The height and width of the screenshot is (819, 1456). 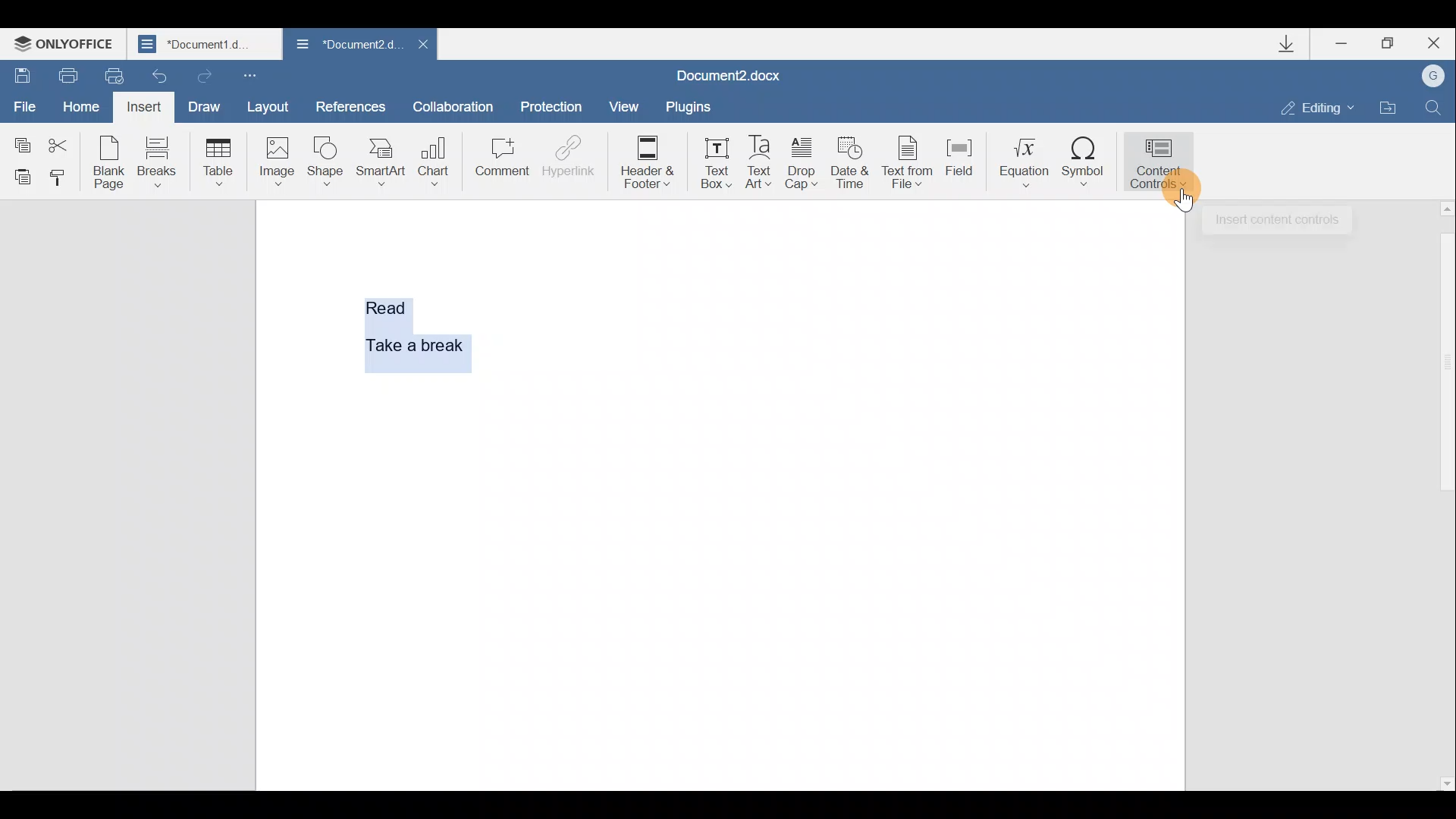 I want to click on Take a break, so click(x=409, y=343).